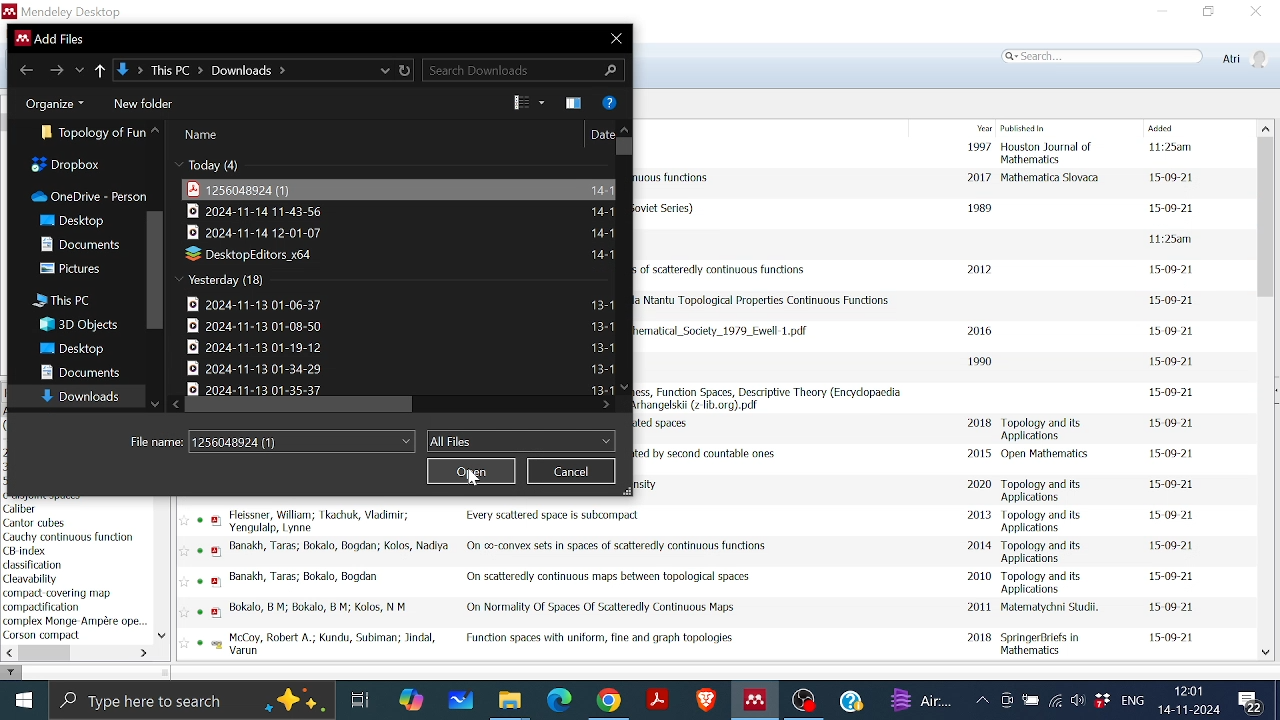  What do you see at coordinates (84, 398) in the screenshot?
I see `Downloads` at bounding box center [84, 398].